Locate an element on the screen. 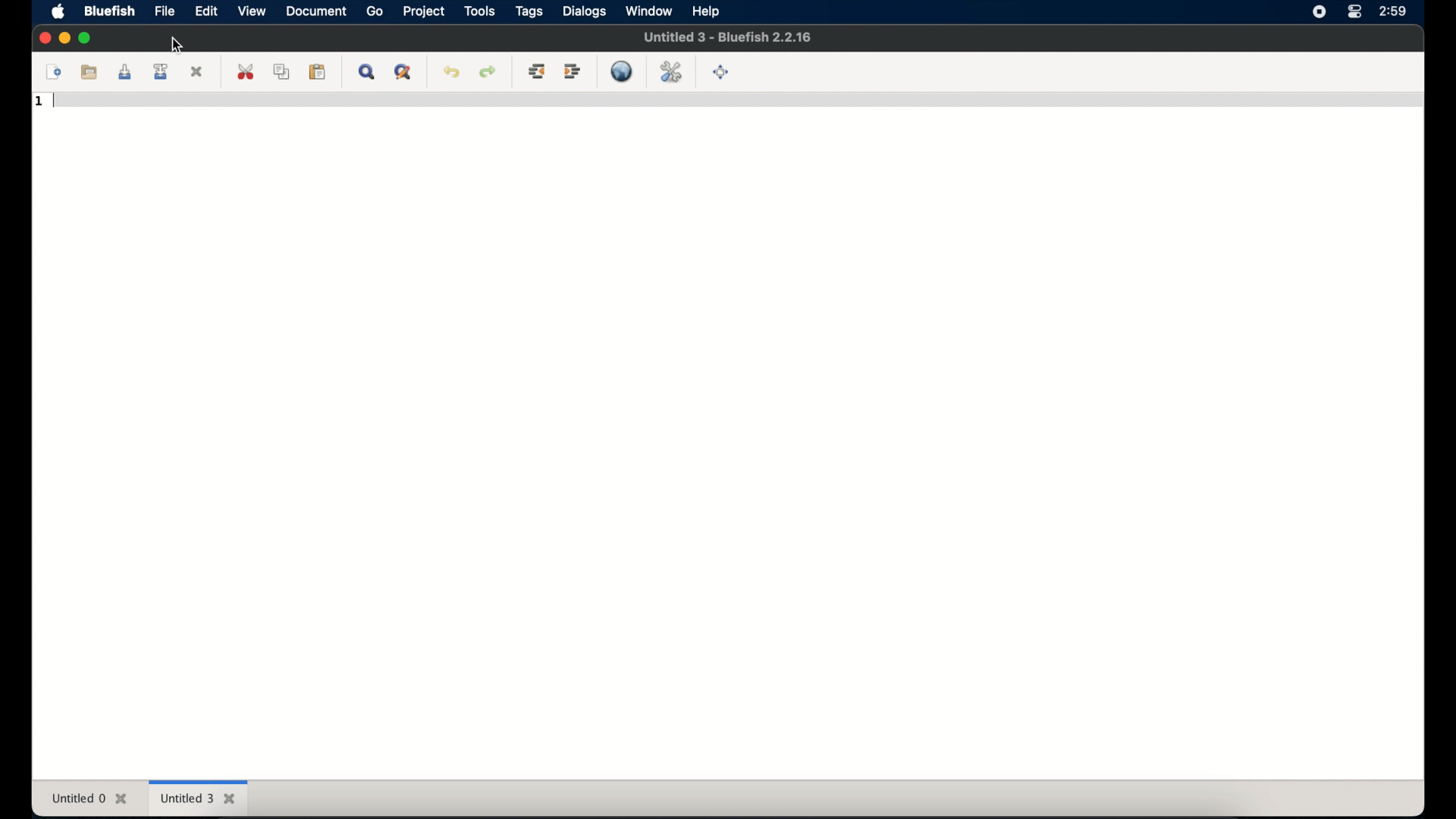 The width and height of the screenshot is (1456, 819). close current file is located at coordinates (197, 71).